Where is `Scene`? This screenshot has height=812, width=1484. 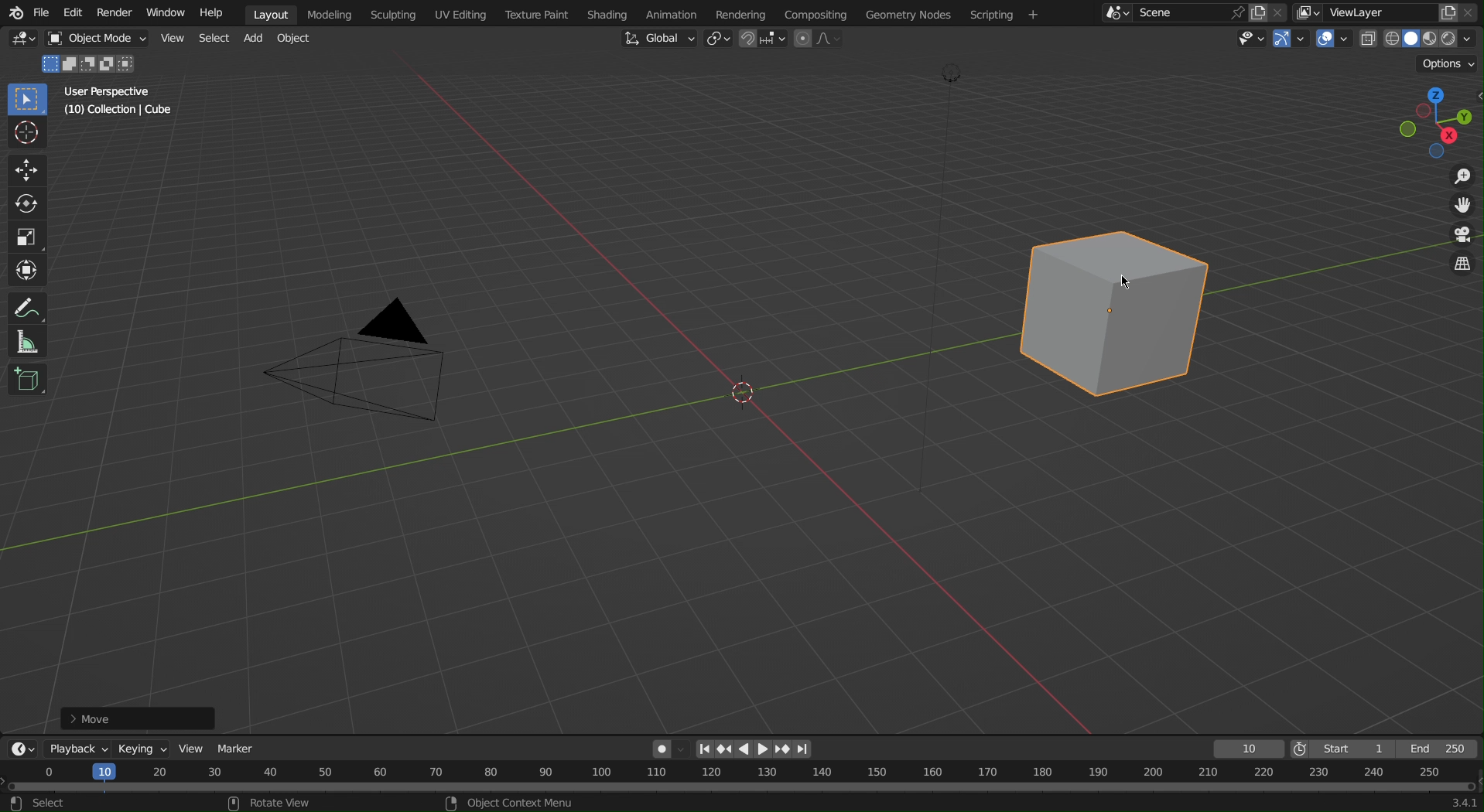 Scene is located at coordinates (1171, 13).